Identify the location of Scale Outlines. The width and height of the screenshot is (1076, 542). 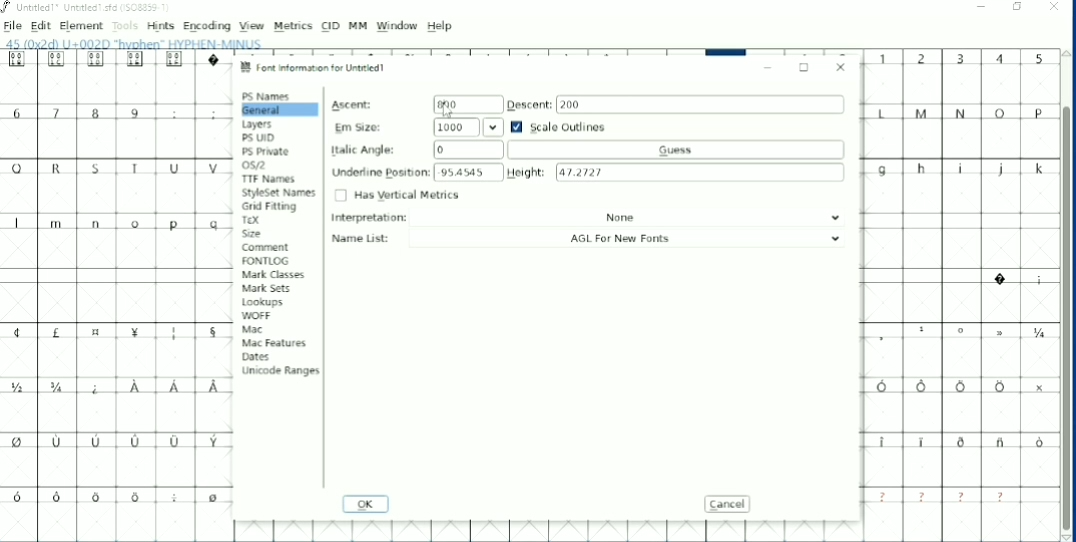
(559, 126).